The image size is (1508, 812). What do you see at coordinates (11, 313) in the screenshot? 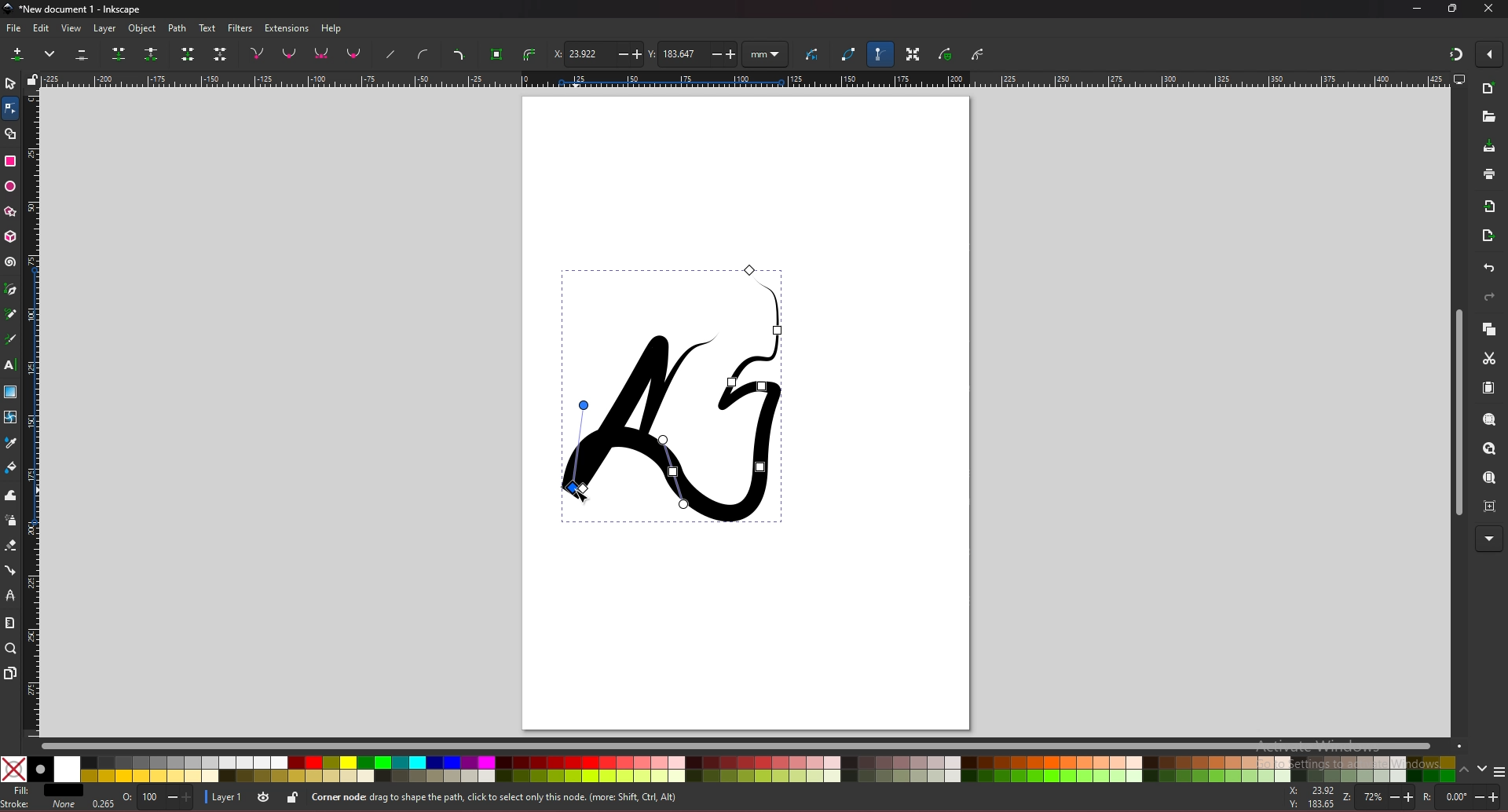
I see `pencil` at bounding box center [11, 313].